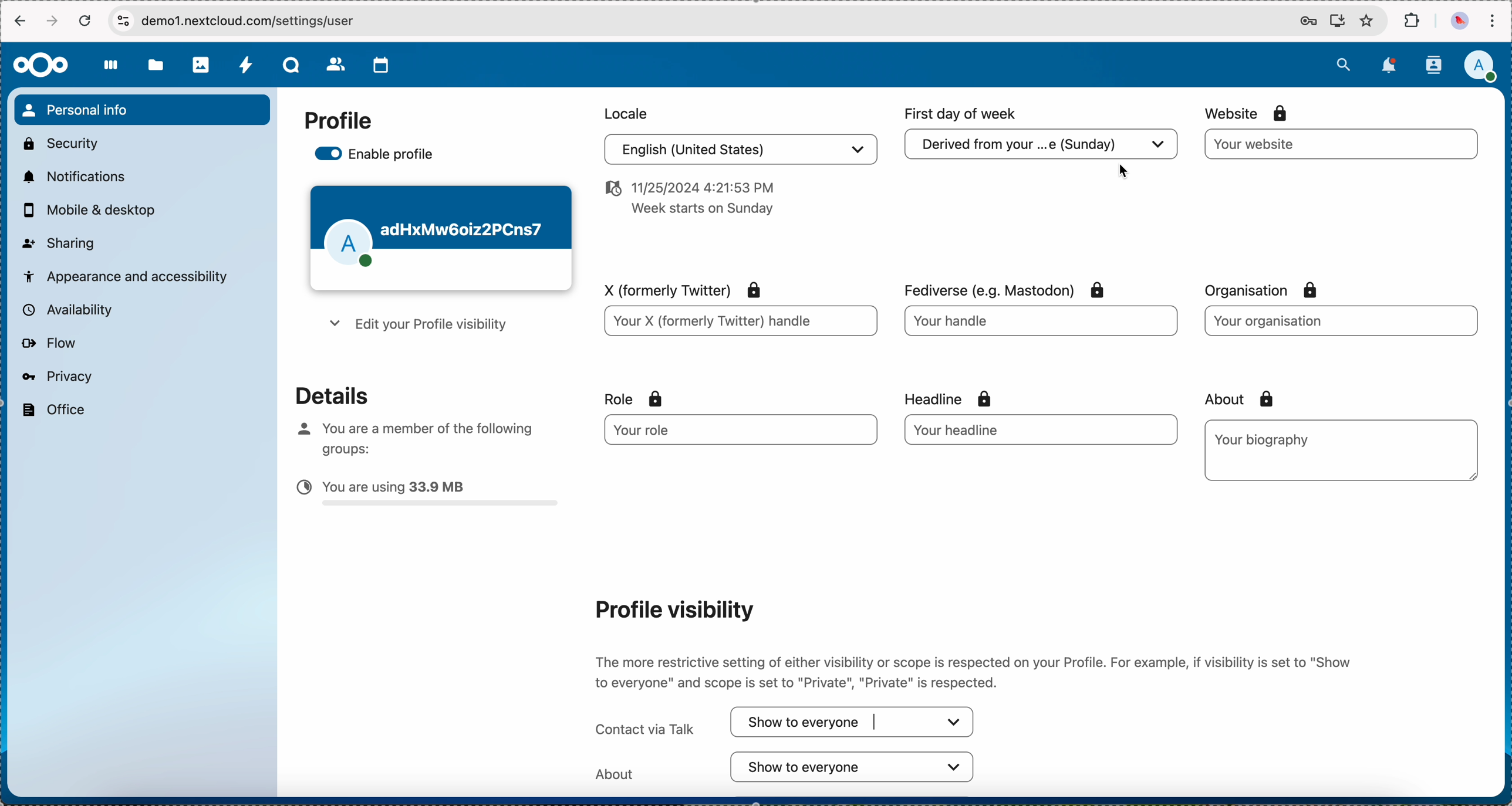  What do you see at coordinates (428, 496) in the screenshot?
I see `capacity` at bounding box center [428, 496].